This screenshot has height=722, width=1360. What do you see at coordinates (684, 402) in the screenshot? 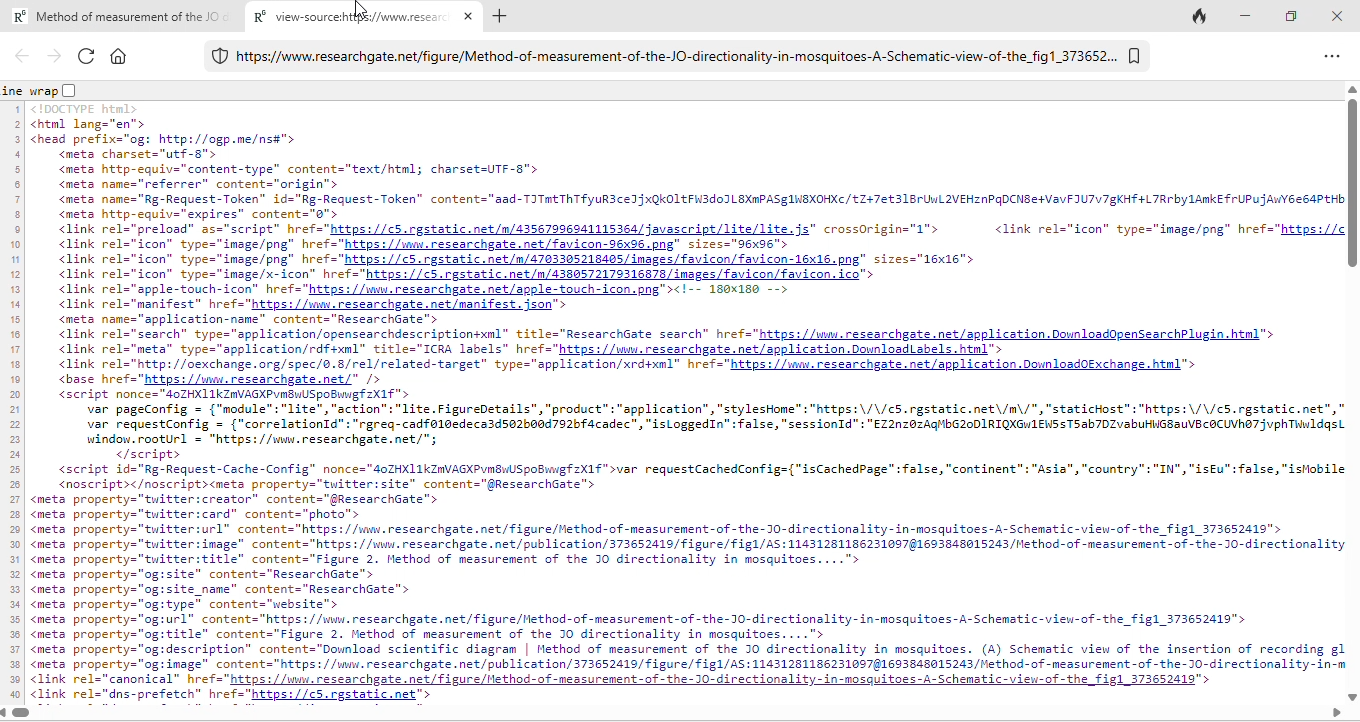
I see `<html lang="en ><head prefix="og: http://ogp.me/nss"><meta charset="utf-8"><meta http-equiv="content-type” content="text/htwl; charset=UTF-8"><meta names"referrer” contents"origin"><meta name="Rg-Request-Token" id="Rg-Request-Token" content="aad-TITHtThTfyuR3 ced xQkOLLFH3dOILEXRPASGINEXOHKE /£Z+7€ 316 Un 2VEHZNPQDCNBE VaVFIU7YTgKHT +L7Rrby 1ARKE FrUPUJANYEE64PEH<meta http-equiv="expires” content="0"><link rel="preload" as="script" href="https://cS.rgstatic.net/a/43567996941115364/ javascript/lite/lite. js" crossOrigin="1"> <link rel="icon" types"image/png" href="https://<link rel="icon” types"image/png" href="https://mn.researcheate.net/favicon-96x36.png" sizes="96x96"><link rel="icon" type="image/png" href="https://c5.rgstatic.net/n/4703305218405/ inages/favicon/favicon-16x16.png” sizes="16x16"><link rel="icon” types"image/x-icon" href"https://c3.rgstatic.net/n/4380572179316875/images/ favicon Favicon, ico"™><link rel-"apple-touch-icon" href="https://um.researchgate.net/agple-touch=icon.png"><!-- 180x186 --><link rel-"manifest” href="https://mu.researchgate.net/manifest. json"™><meta name="spplication-name” content="ResearchGate"><link rel="search” type="spplication/opensearchdescriptiontxnl” title="ResearchGate search” href="https://was.cesearchgate.net/application.DounloadOpensearchPlugin.htnl"><link rel-"meta" type="application/rdfsxml” title="ICRA labels" hrefs"https://ma, researchgate .net/application Dounloadiabels html®><link rel="http://oexchange.org/spec/0.8/rel/related-target” type="application/xrd+xml" href="https://mw. researchgate.net/agplication.Domnloadobxchange html "><base href="https://uu.researchgate.net/" /><script nonce="40ZHX11kZAVAGKPVRBWUSpOBIMEF XI ">var pageConfig = {"module”: "lite", "action": "lite.FigureDetails", “product”: “application”, "stylesHome™ : "https: \/\/c5.rgstatic.net\/m\/", "staticKost™: "https: \/\/c5. rgstatic.net”,var requestConfig = {"correlationld": "rgreq-cadfol0edecaldse2b0ad792bfacadec”, "isLoggedIn® false, "sessionId": "EZ22n70zAqMbG20D1RIQKGH1ENS STS ab7DZvabuHWGBaUVBCOCUVRET JvphTildqswindow.rootUrl = "https: //wwm.researchgate.net/";</script><script id="Rg-Request-Cache-Config” nonce="40ZHXL1kZAVAGKPVRBWUSpOBEF 2X1f "var requestCachedConfig={"isCachedpage™ false, "continent": "Asia", “country”: "IN", "isEu": false, "ishobil<noscript></noscript><meta property="twitter:site” content="gResearchate"><meta property="tuitter:creator” content="gResearchGate™><meta property="tuitter:card" content="photo"><meta property="tuitter:url” content="https://mm.researchgate.net/figure/Method-of -measurement-of -the-30- directionality -in-mosquitoes-A-Schematic-vieu-of -the_figl 373652419"><meta property="tuitter:image” content="https://wm.researchgate.net/publication/373652419/ figure/figl/AS: 11431261186231097§1693848015243  Method-of -measurement -of - the -10-direct ional it<meta property="tuitter:title” content="Figure 2. Method of measurement of the 0 directionality in mosquitoes...."><meta property="og:site” content="ResearchGate"><meta property="og:site name” content="ResearchGate"><meta property="og:type" content="website"><meta property="og:url” content="https: //w.researchgate.net/figure/ethod-of -measurement-of -the-10-directionality-in-mosquitoes-A-Schematic-view-of -the_figl 373652419"<meta property="og:title" content="Figure 2. Method of measurement of the 30 directionality in wosquitoes...."><meta property="og:description” content="Download scientific diagram | Method of measurement of the JO directionality in mosquitoes. (A) Schematic view of the insertion of recording g<meta property="og: image" content="https://wa.researchgate.net/publication/373652419/ figure/ figl/AS:1143128118623109781693848015243/ Hethod-of -neasurement -of -the- J0-direct ional ity-in-<link rel="canonical” href="https://um.researchgate .net/Figure/Method-of -neasurement-of -the-J0-directionality-in-mosquitoes-A-Schematic-vieu-of -the Fig) 373652419"<link rel="dns-prefetch” href="https://c5.rgstatic.net™` at bounding box center [684, 402].